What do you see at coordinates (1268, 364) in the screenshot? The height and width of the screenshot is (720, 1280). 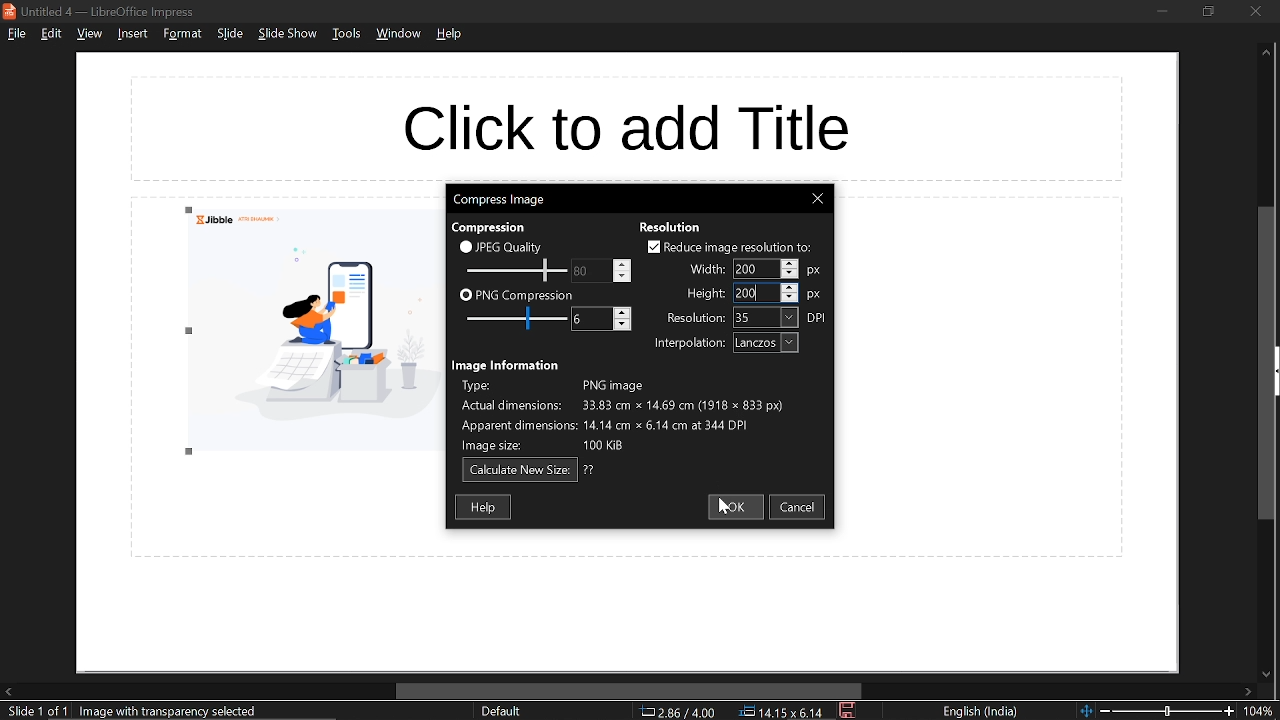 I see `vertical scrollbar` at bounding box center [1268, 364].